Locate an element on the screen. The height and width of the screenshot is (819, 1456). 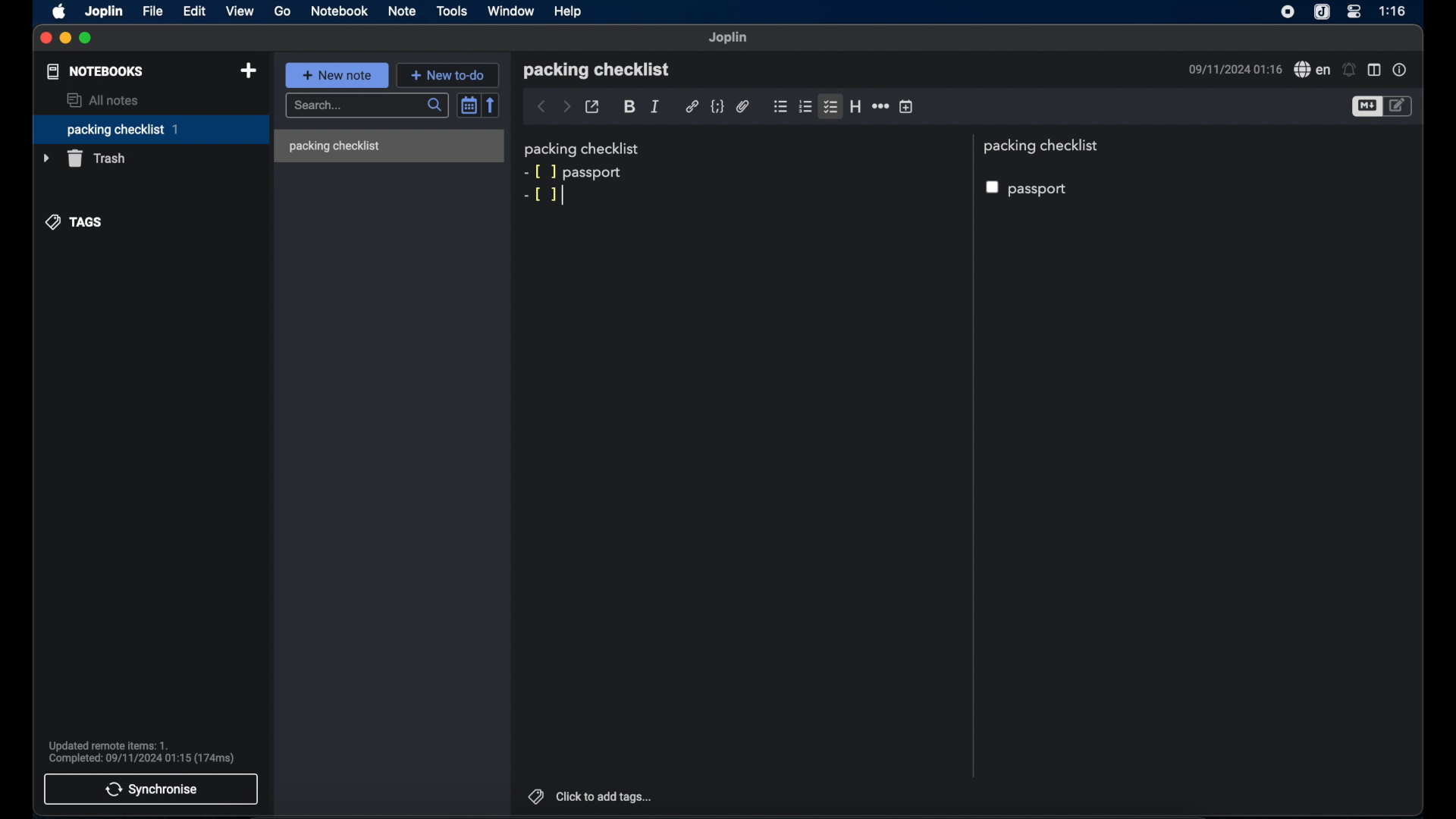
bulleted checklist is located at coordinates (830, 108).